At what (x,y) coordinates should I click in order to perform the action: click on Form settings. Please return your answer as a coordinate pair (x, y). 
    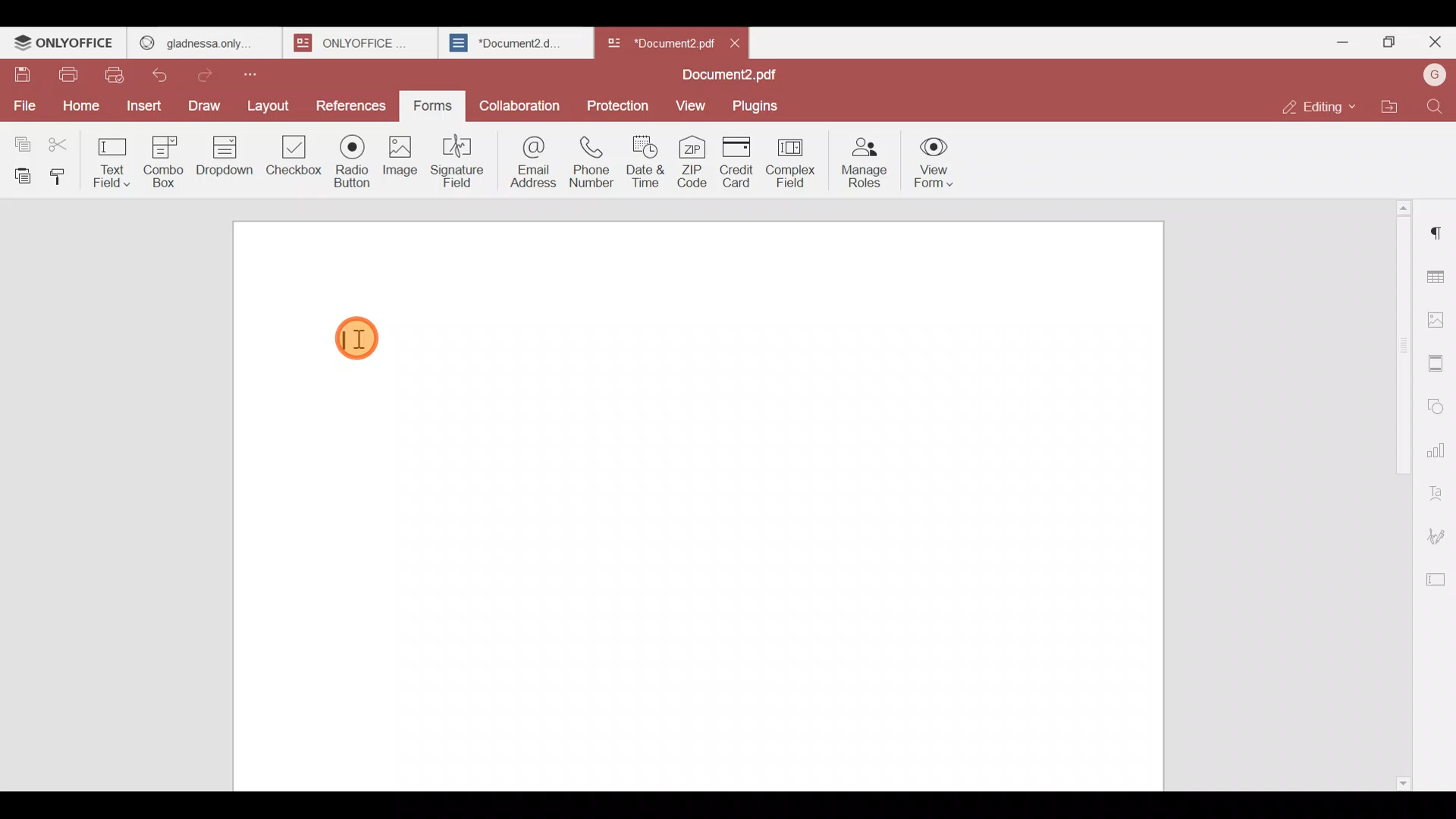
    Looking at the image, I should click on (1434, 577).